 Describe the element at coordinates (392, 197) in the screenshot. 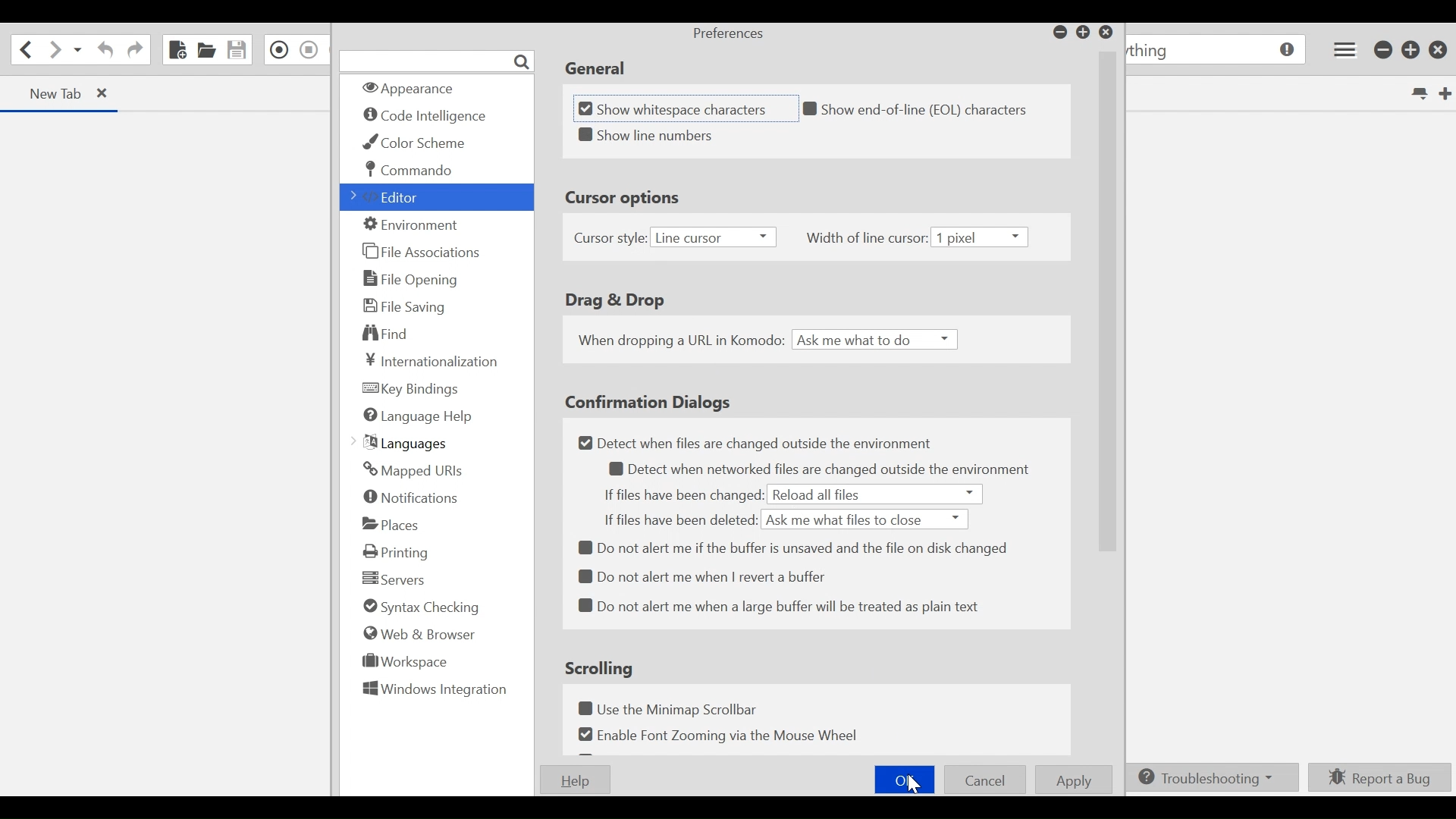

I see `Editor` at that location.